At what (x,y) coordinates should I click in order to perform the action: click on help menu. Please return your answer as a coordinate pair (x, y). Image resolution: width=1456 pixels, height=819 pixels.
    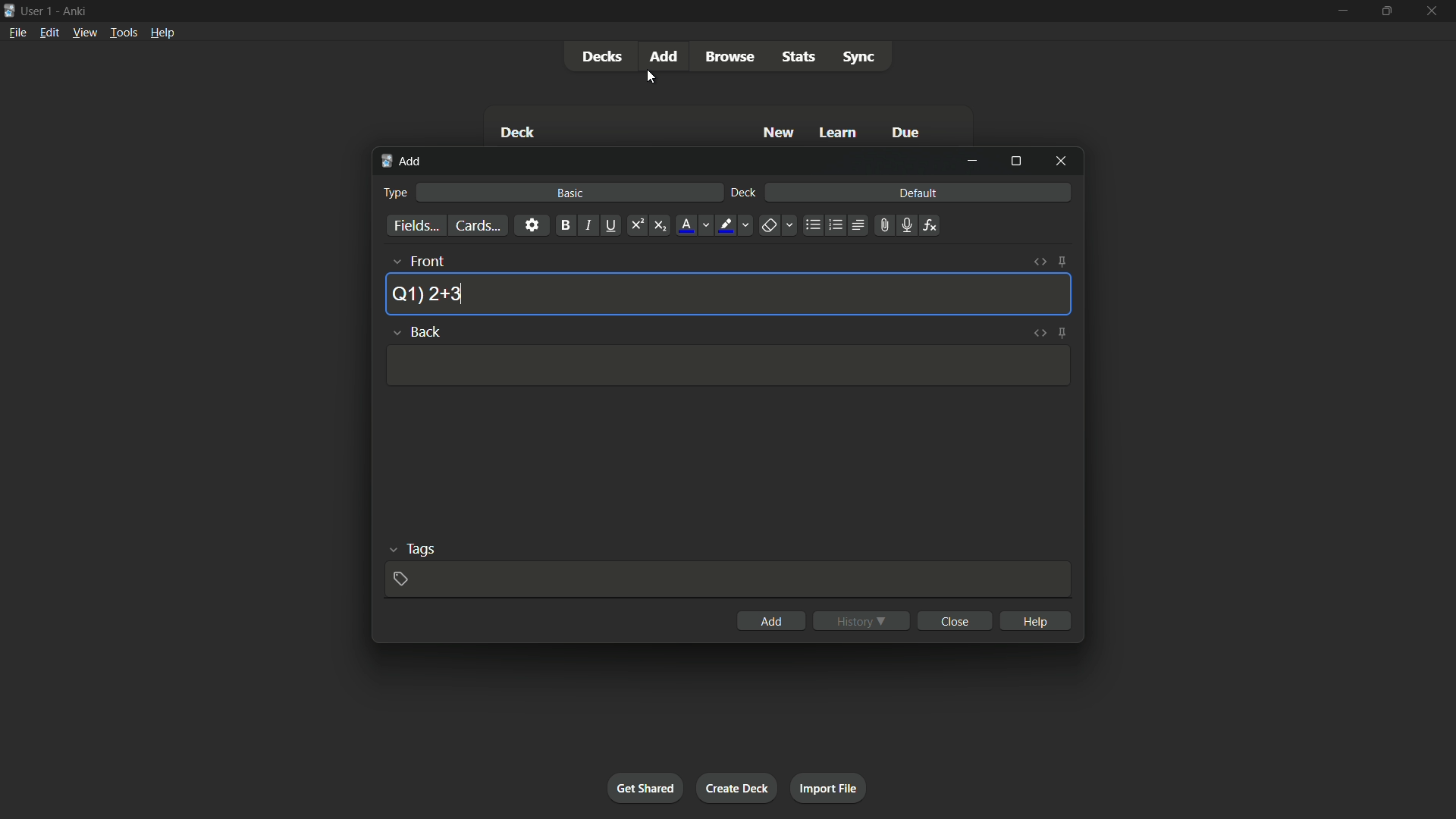
    Looking at the image, I should click on (162, 33).